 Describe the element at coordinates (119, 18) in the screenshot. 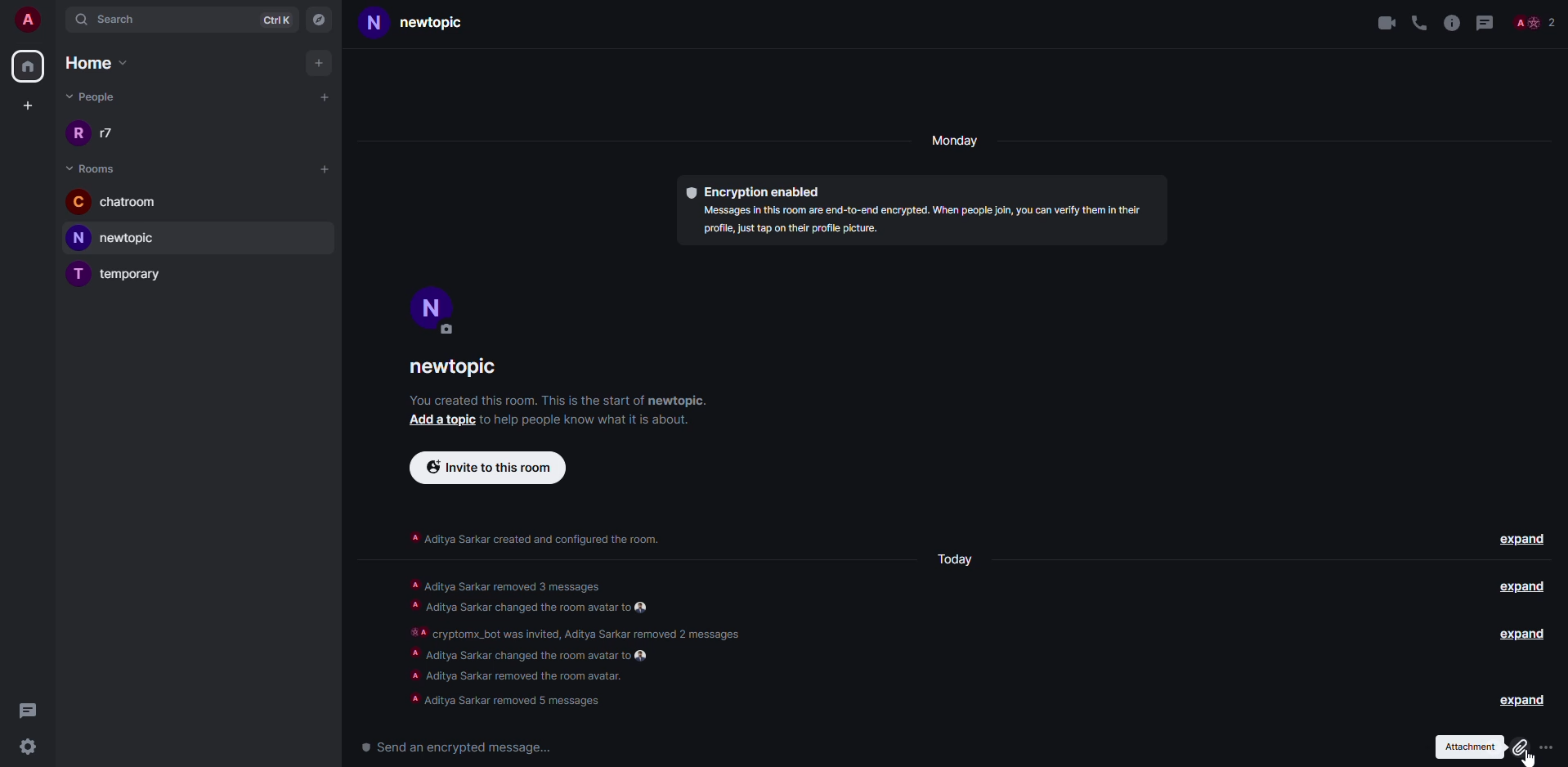

I see `search` at that location.